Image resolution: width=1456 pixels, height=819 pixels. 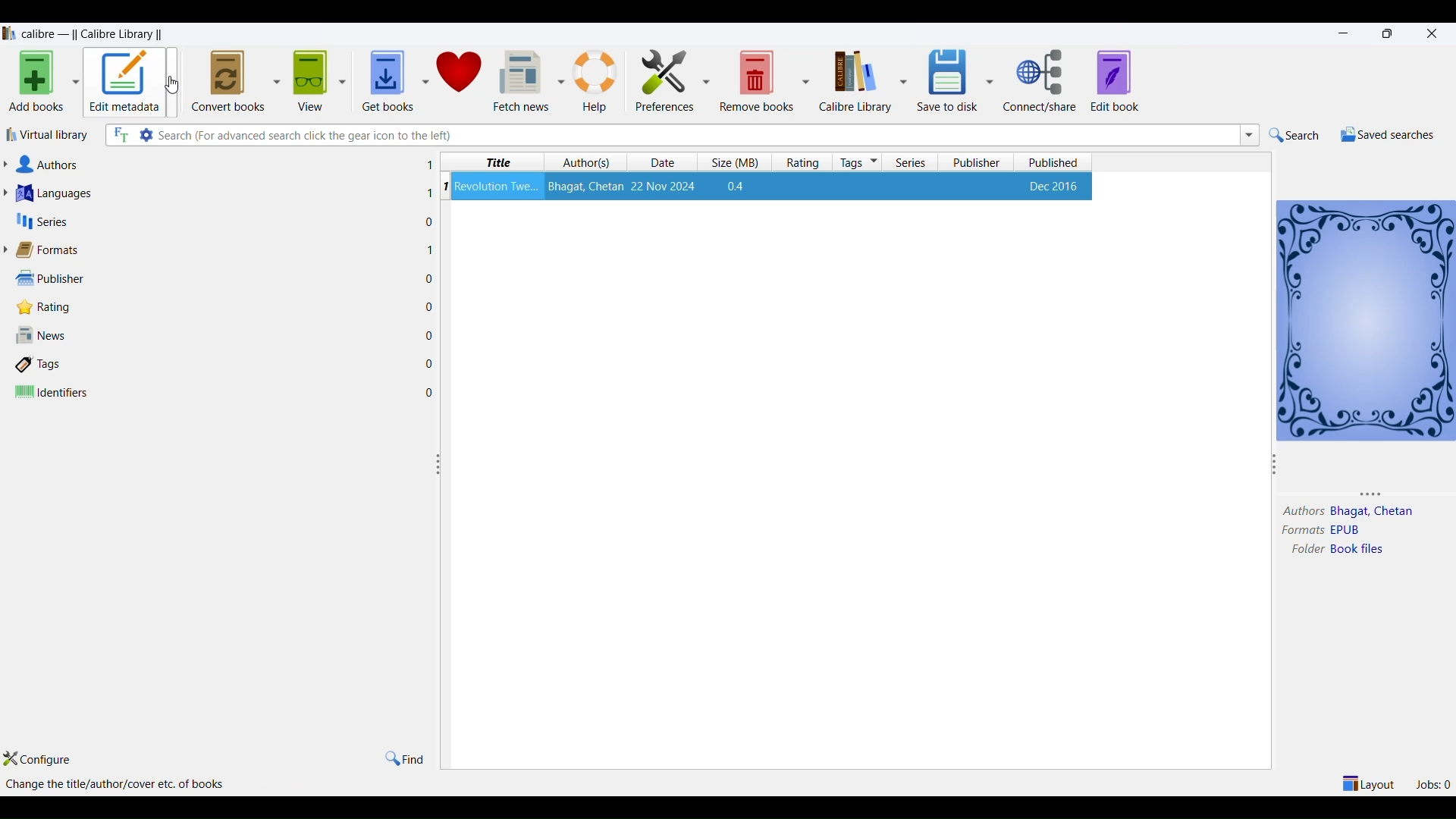 What do you see at coordinates (345, 76) in the screenshot?
I see `view options dropdown button` at bounding box center [345, 76].